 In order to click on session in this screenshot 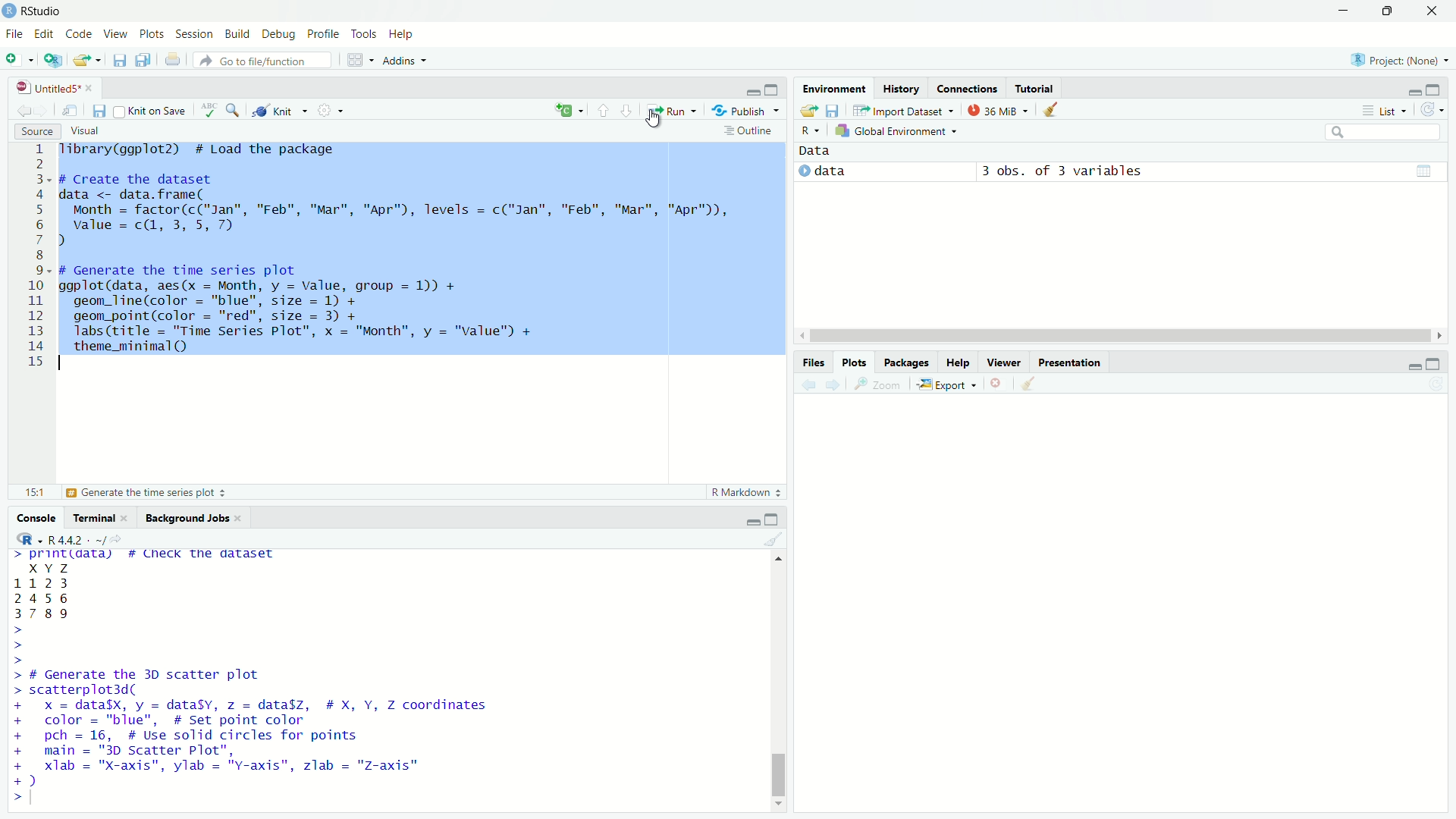, I will do `click(196, 35)`.